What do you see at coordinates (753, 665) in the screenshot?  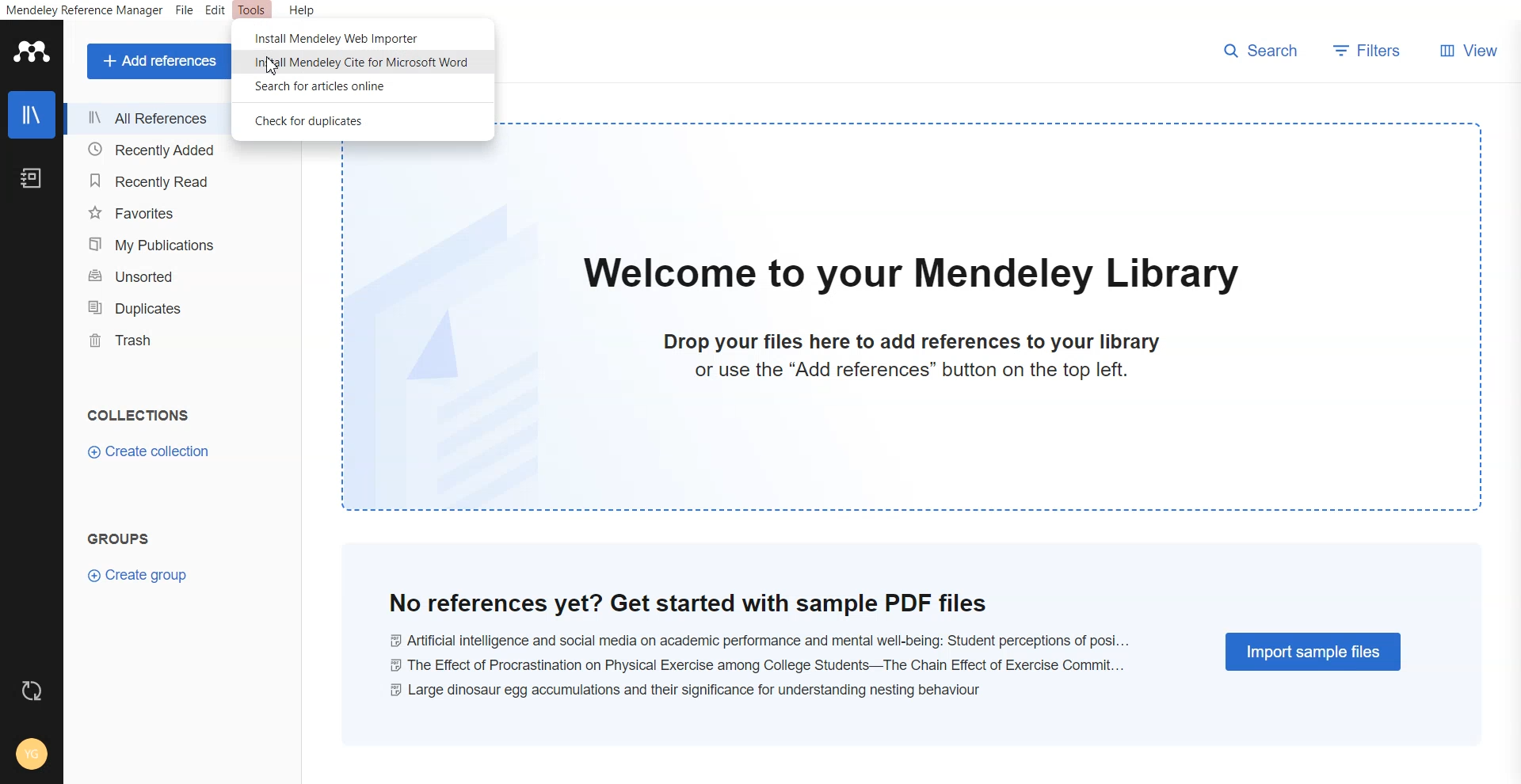 I see `the effect of procrastination on physical exercise among college students-- the chain effect of excercise commit...` at bounding box center [753, 665].